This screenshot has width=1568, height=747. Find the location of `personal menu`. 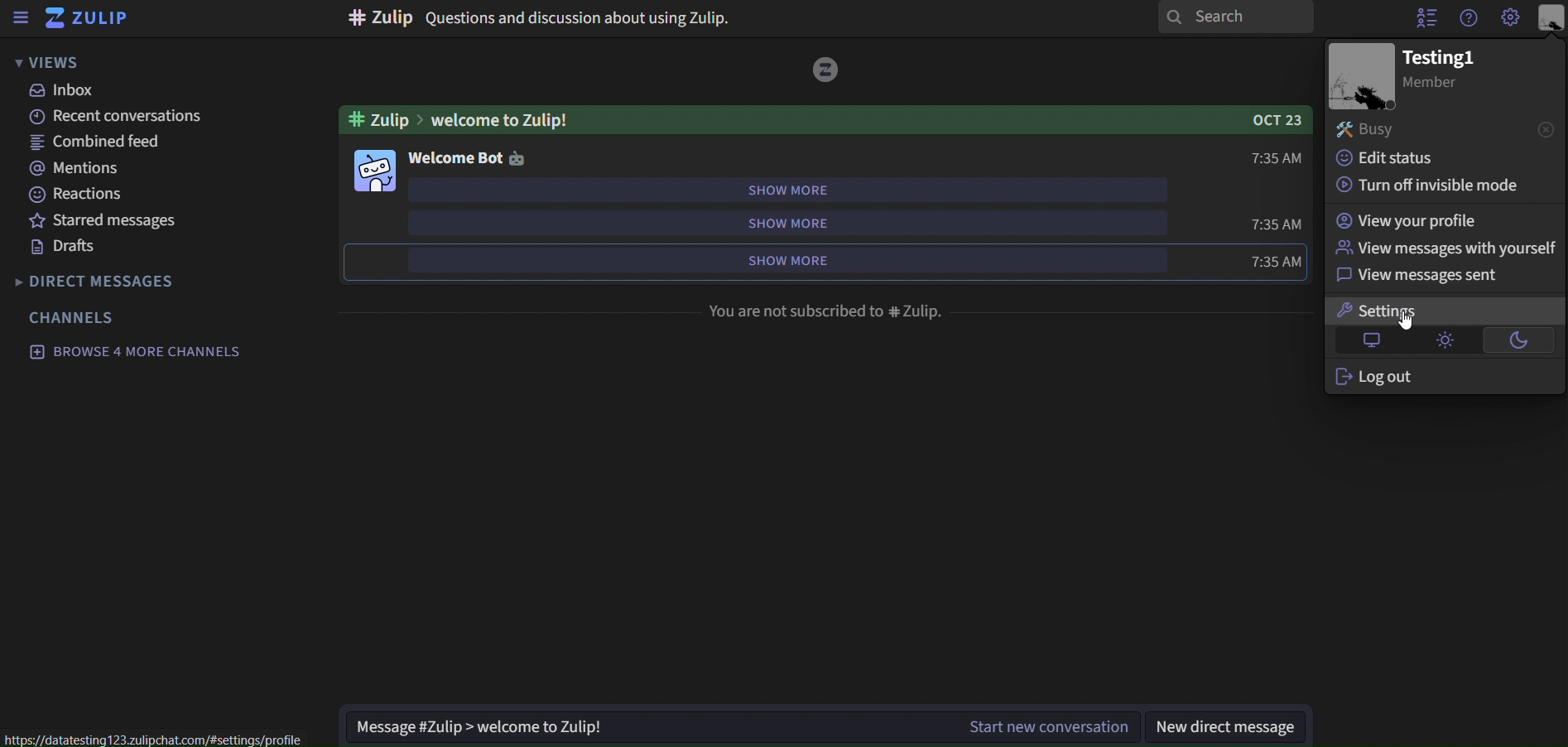

personal menu is located at coordinates (1552, 19).